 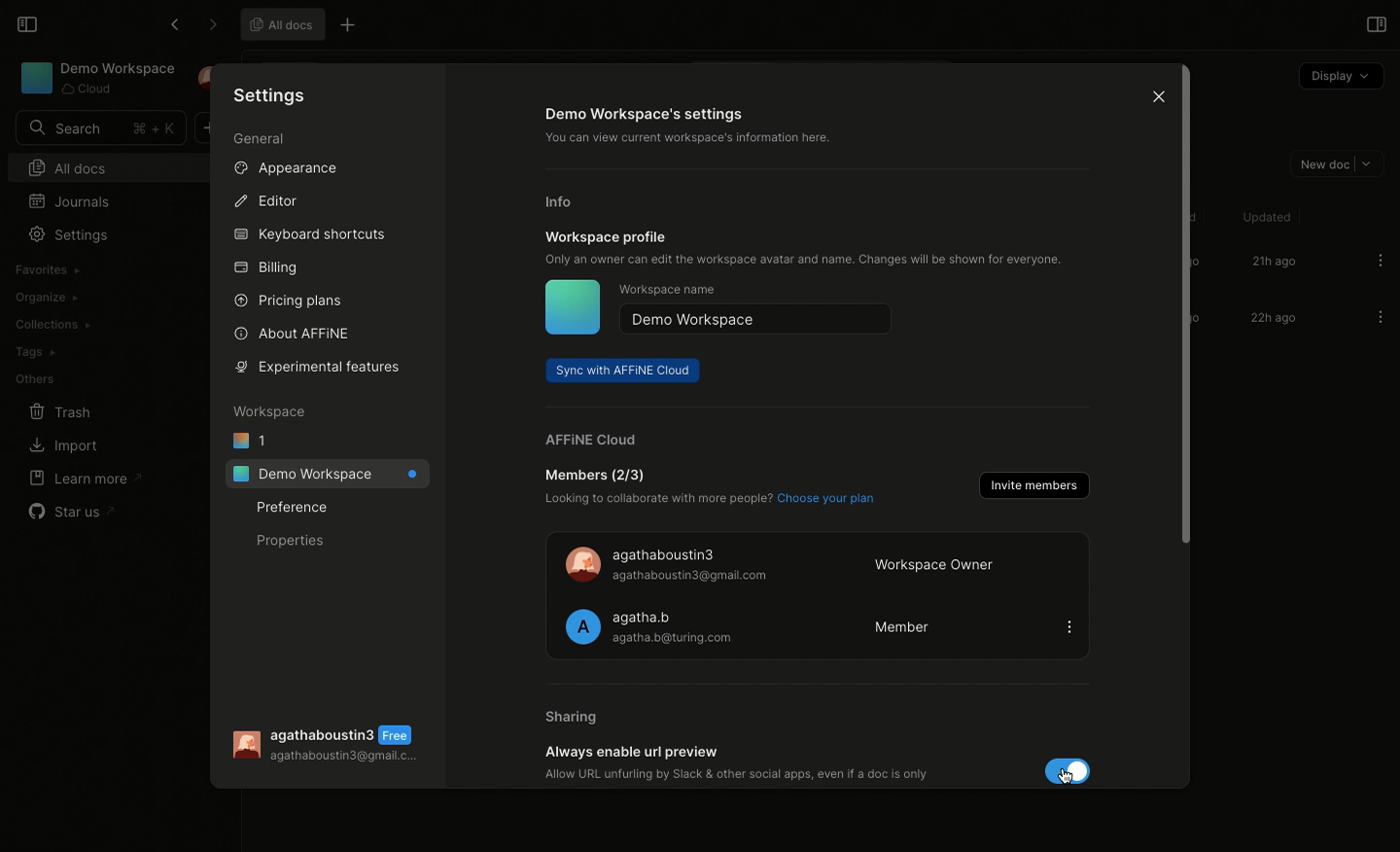 I want to click on Close, so click(x=1154, y=94).